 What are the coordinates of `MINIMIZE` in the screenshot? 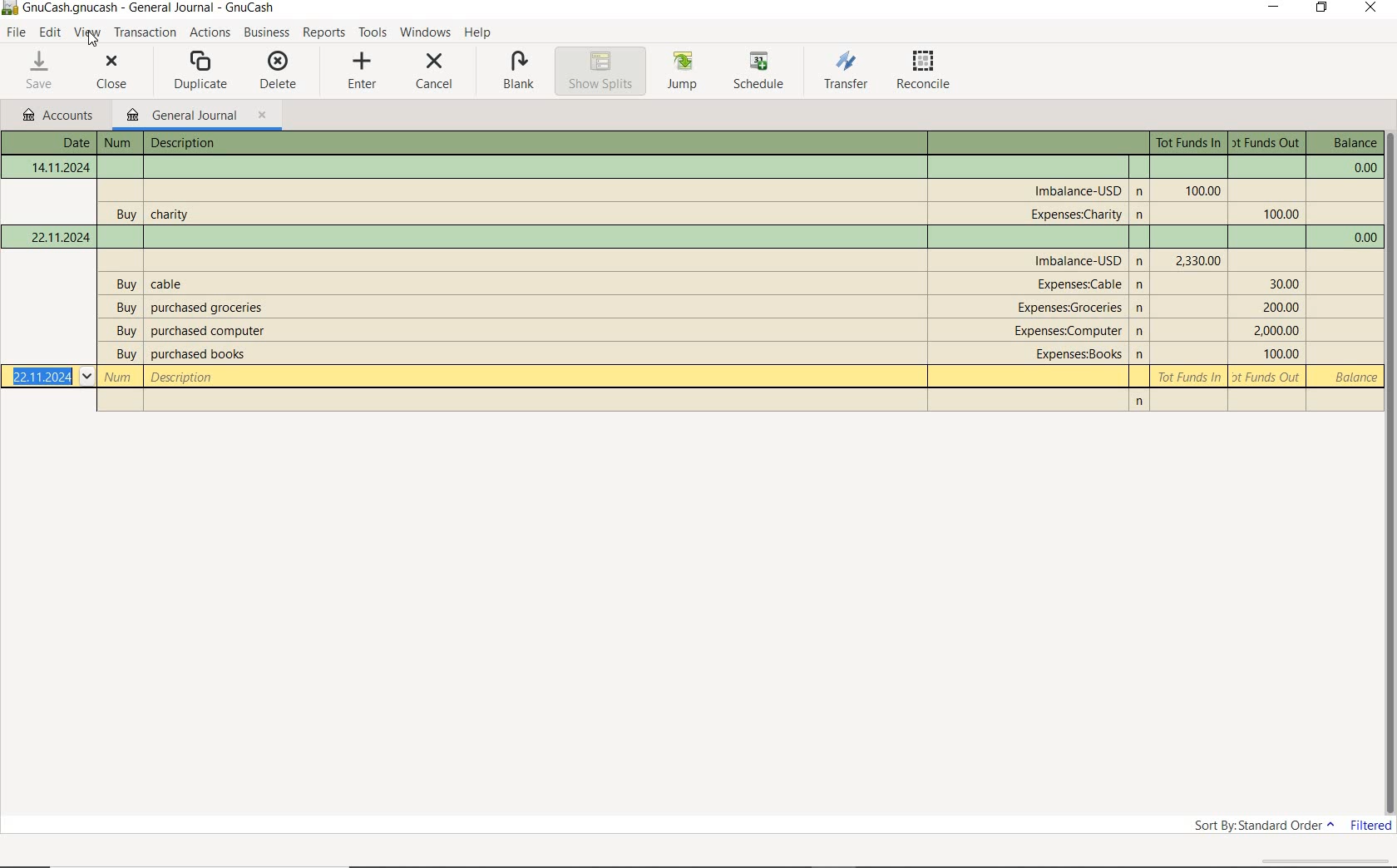 It's located at (1276, 10).